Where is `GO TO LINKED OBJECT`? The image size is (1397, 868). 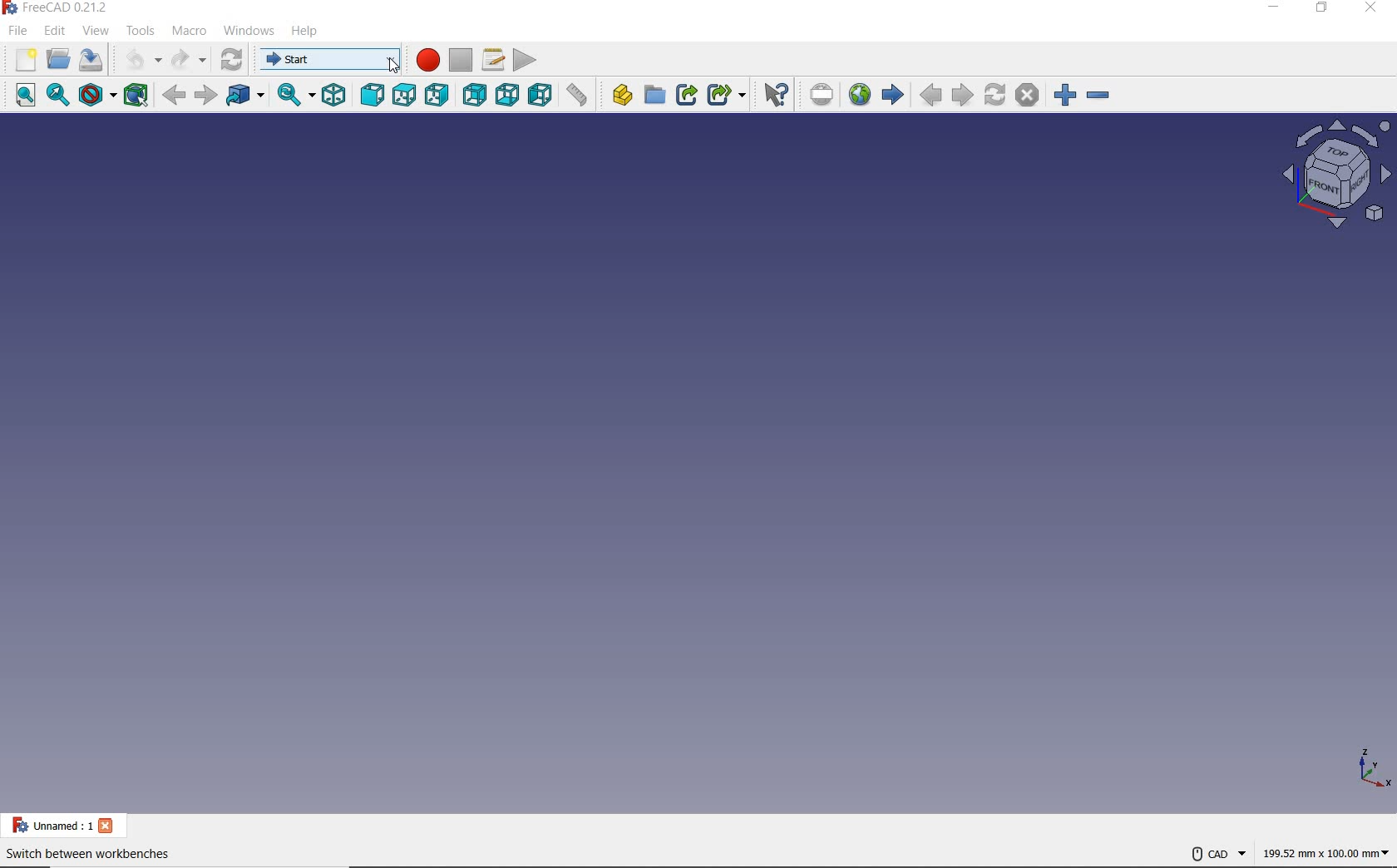
GO TO LINKED OBJECT is located at coordinates (244, 96).